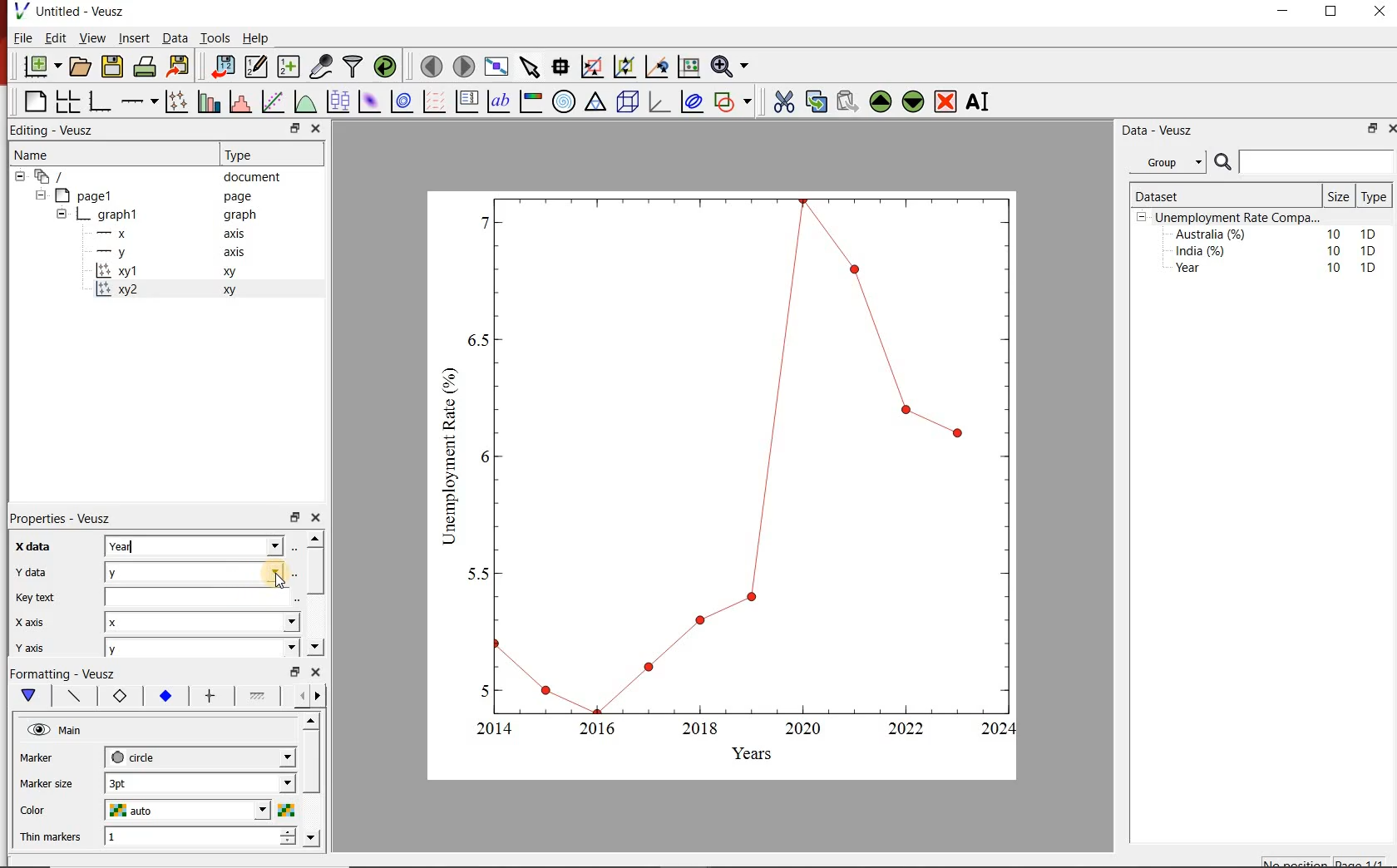 The width and height of the screenshot is (1397, 868). I want to click on Tools, so click(216, 37).